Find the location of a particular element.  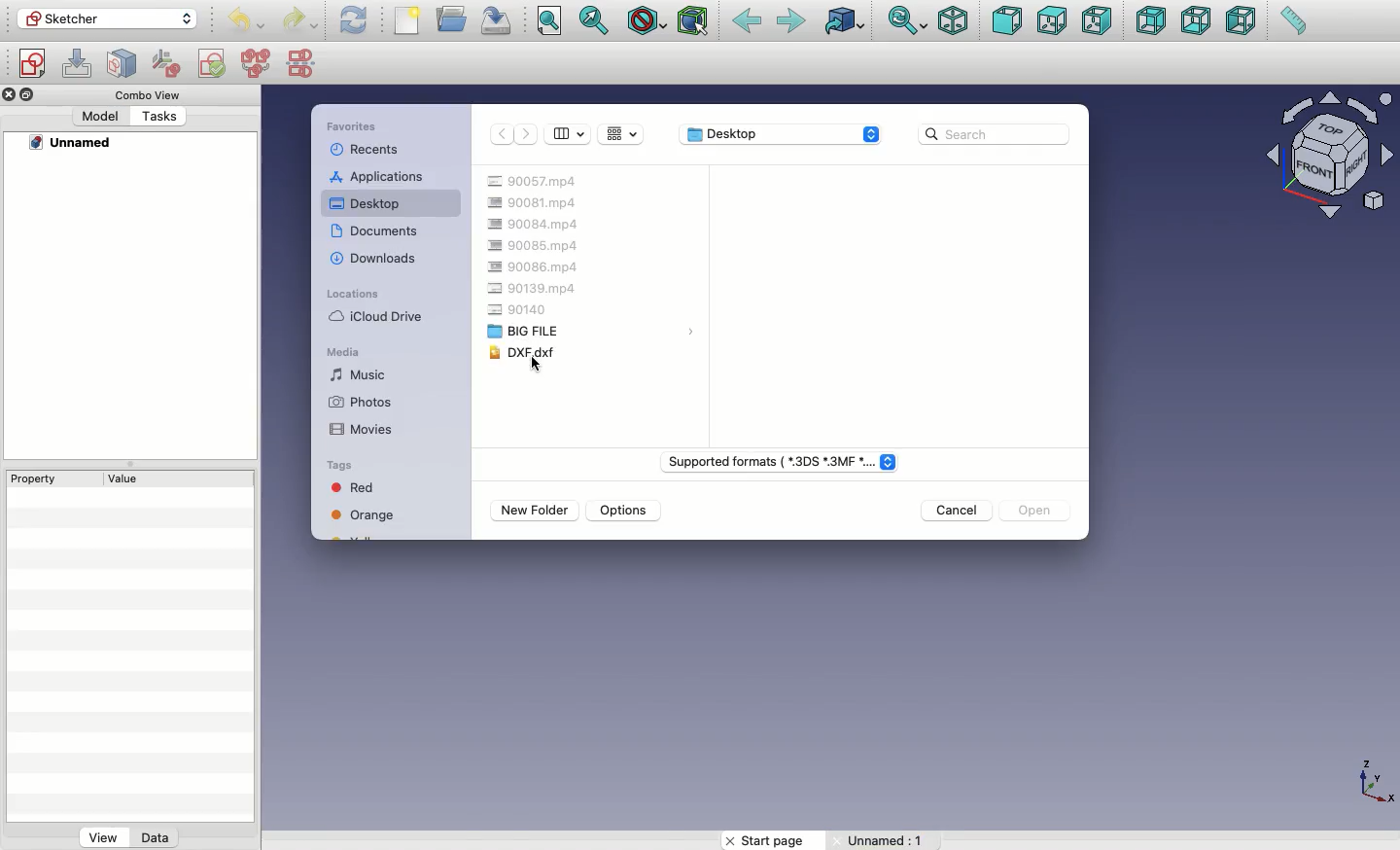

90085.mp4 is located at coordinates (537, 244).